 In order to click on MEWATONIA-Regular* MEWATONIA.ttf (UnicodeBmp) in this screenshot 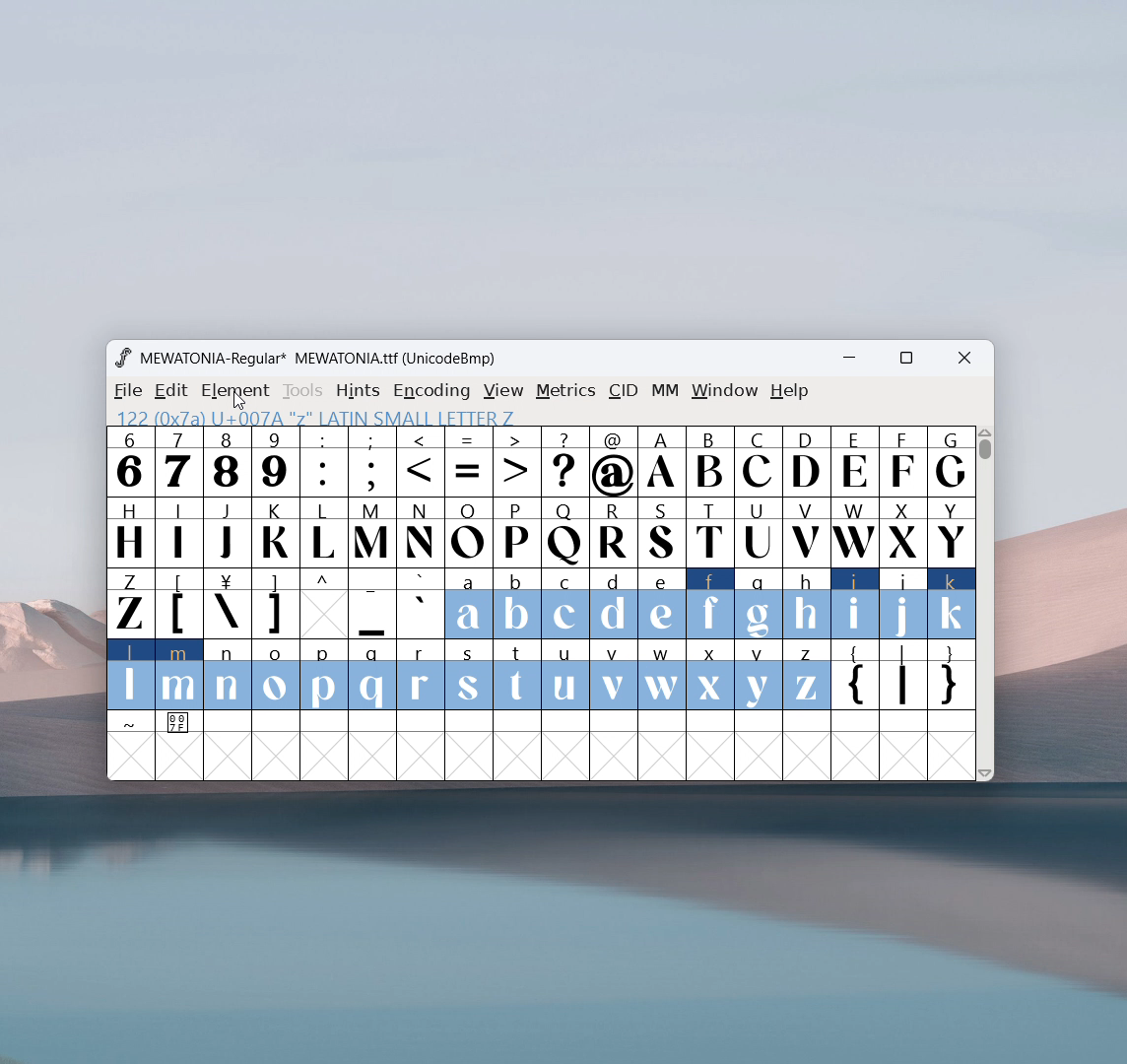, I will do `click(321, 359)`.